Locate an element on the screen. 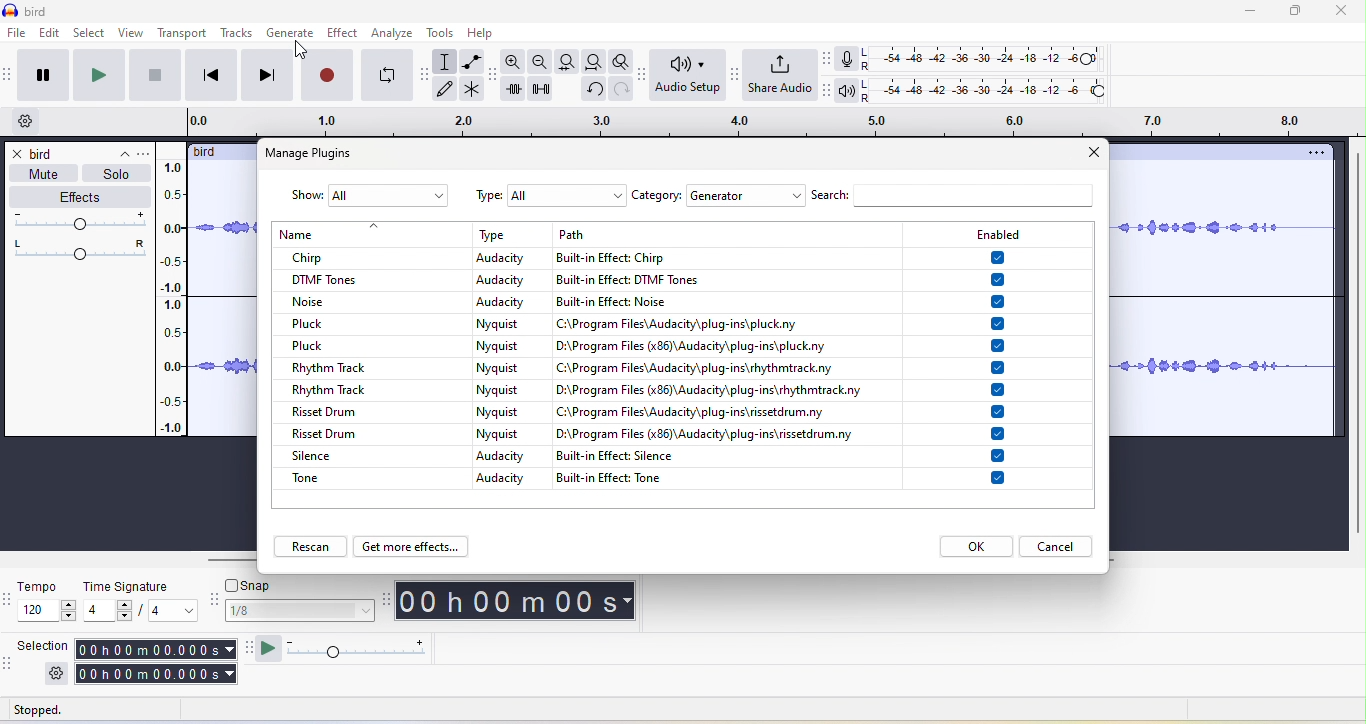 The height and width of the screenshot is (724, 1366). noise is located at coordinates (373, 303).